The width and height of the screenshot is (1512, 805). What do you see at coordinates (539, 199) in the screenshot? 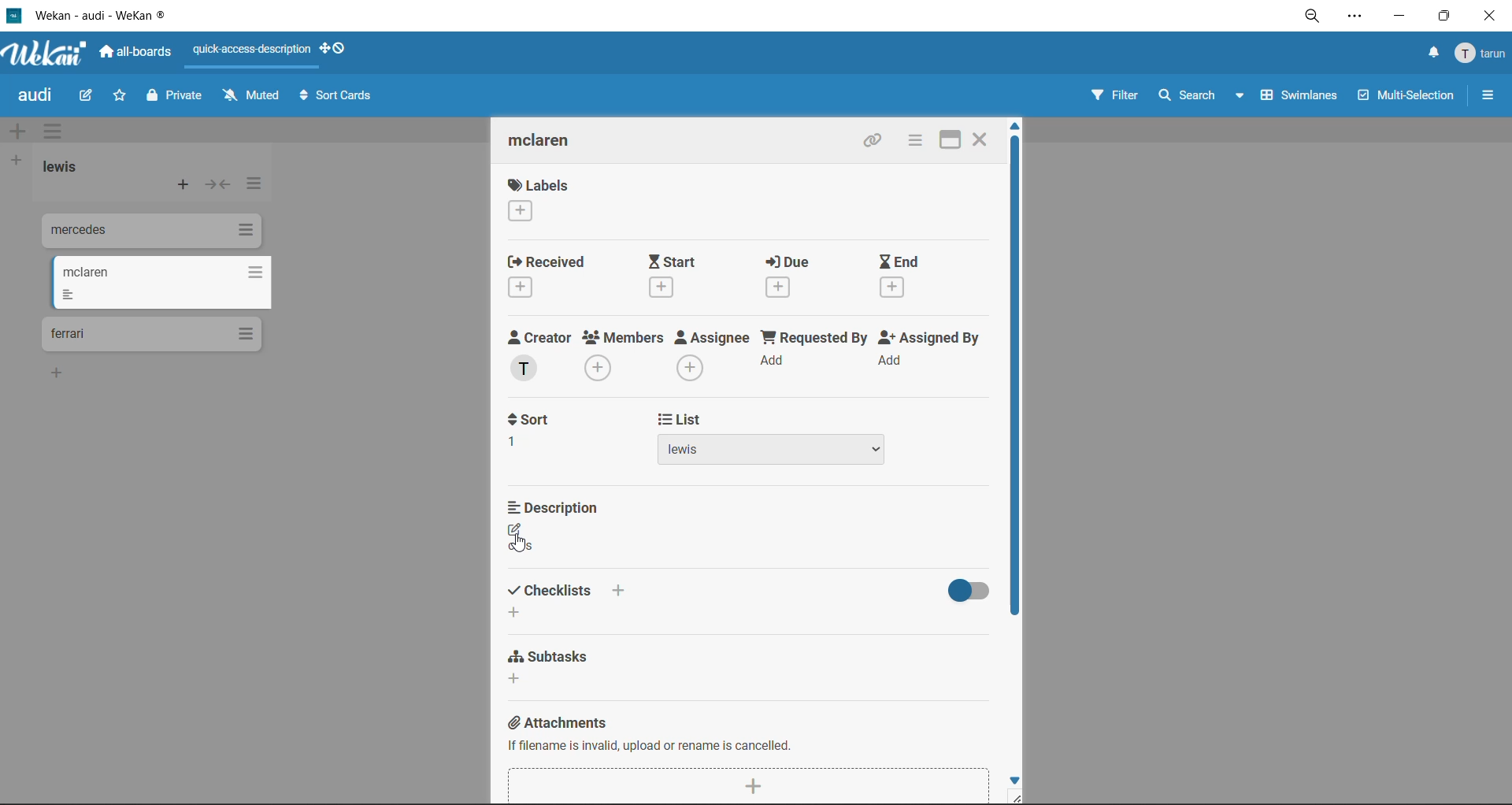
I see `labels` at bounding box center [539, 199].